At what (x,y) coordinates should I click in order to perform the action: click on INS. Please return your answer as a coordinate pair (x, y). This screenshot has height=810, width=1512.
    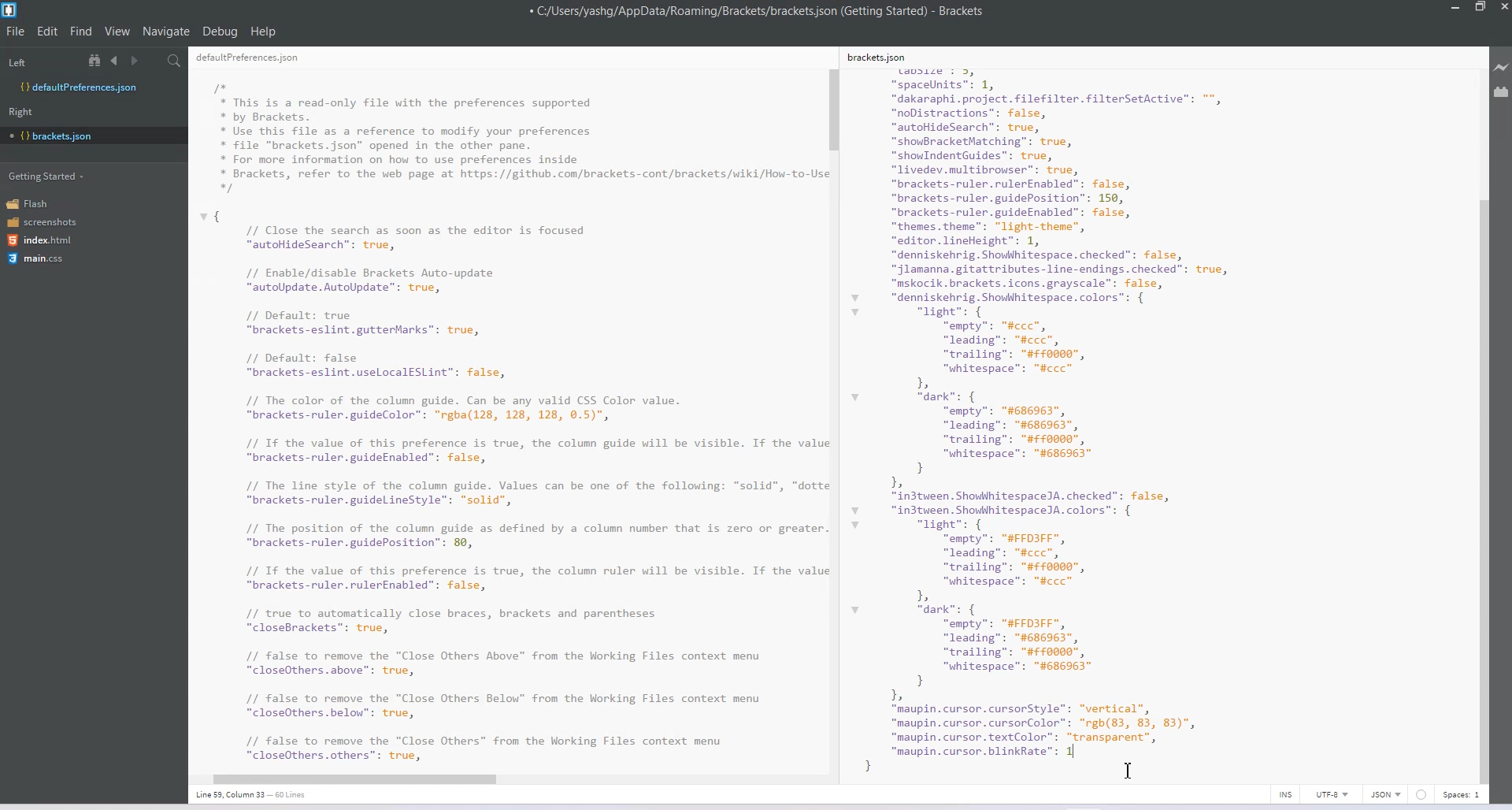
    Looking at the image, I should click on (1285, 794).